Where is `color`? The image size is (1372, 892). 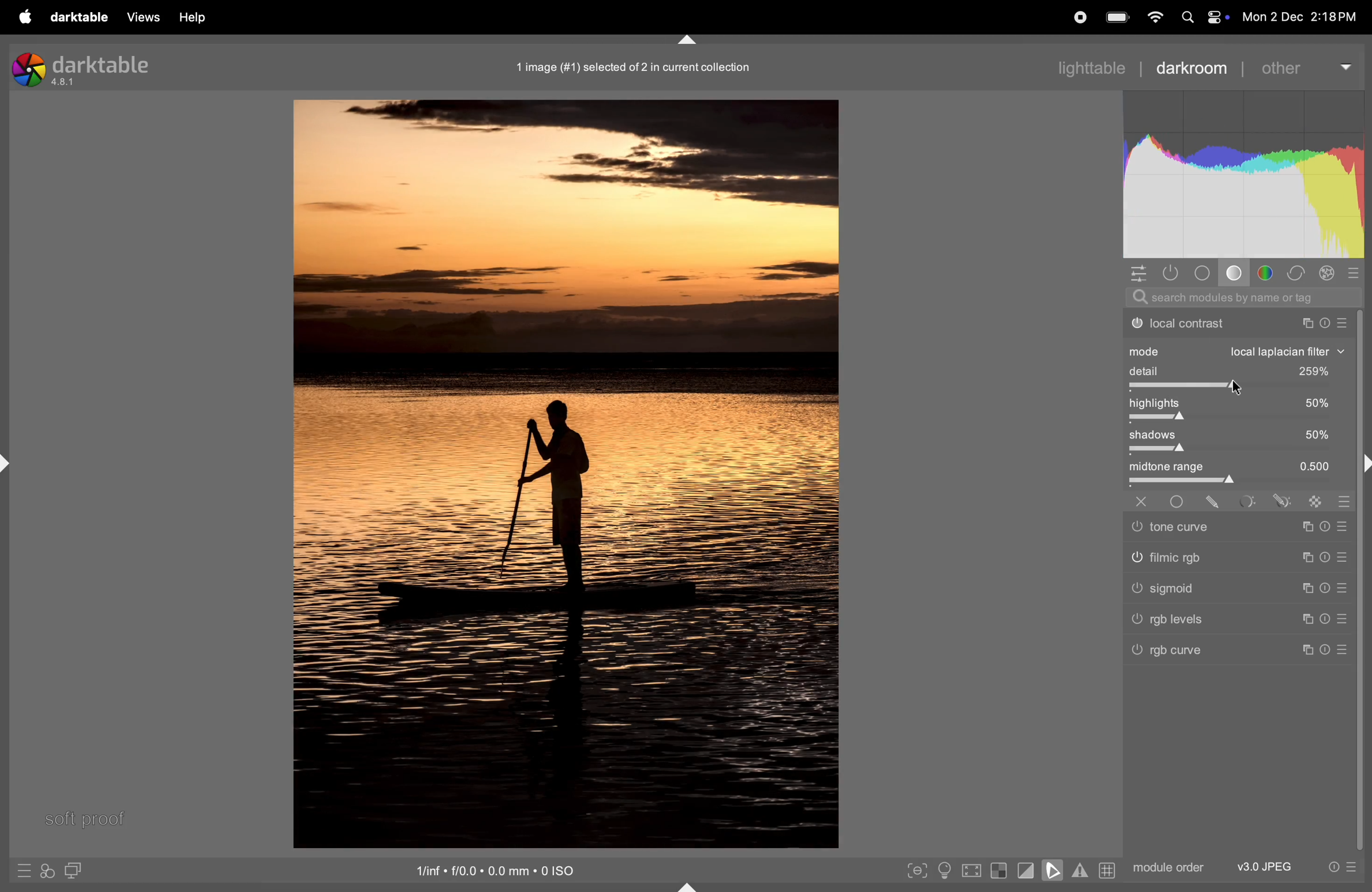
color is located at coordinates (1269, 273).